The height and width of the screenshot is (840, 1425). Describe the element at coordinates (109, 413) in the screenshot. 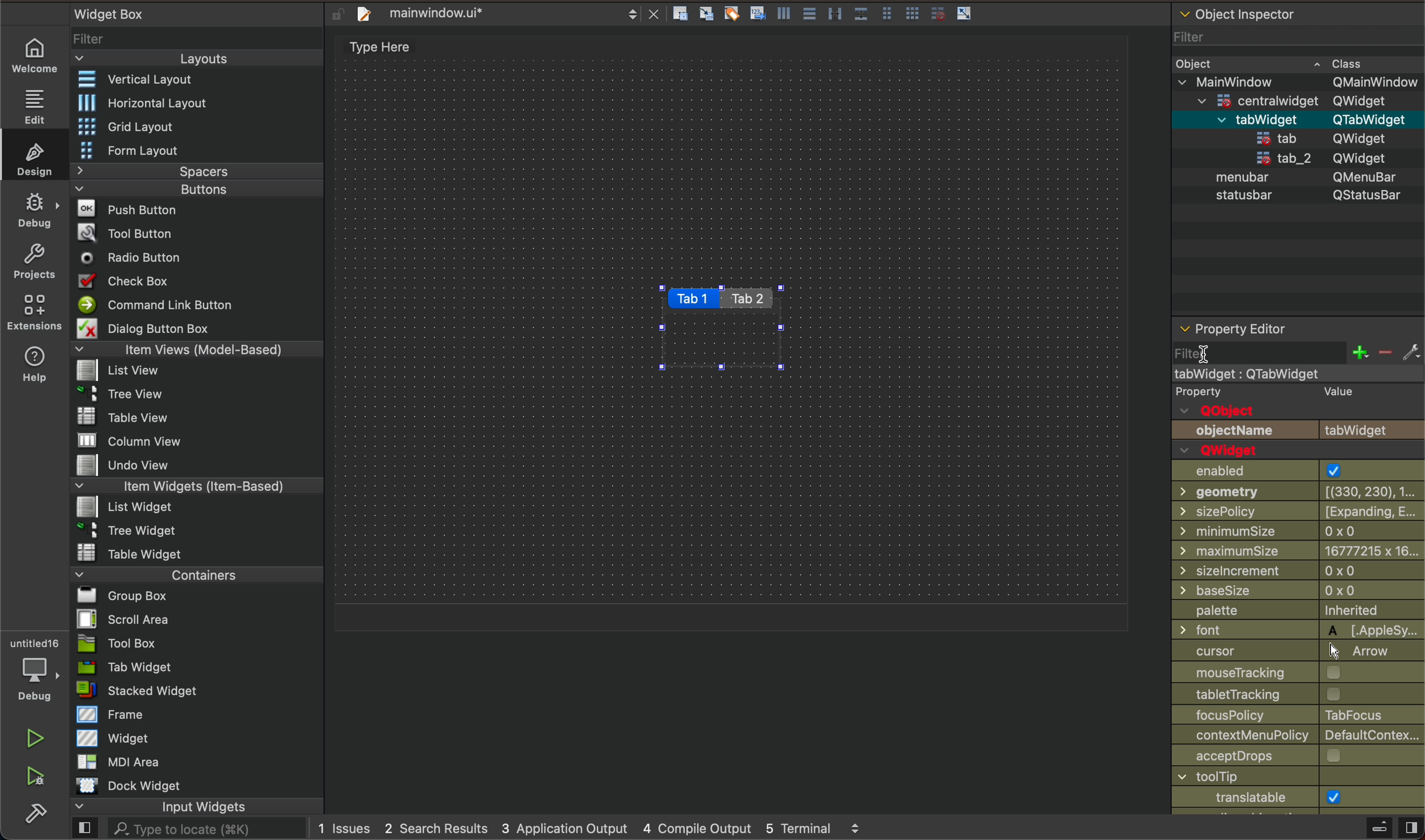

I see `Table View` at that location.